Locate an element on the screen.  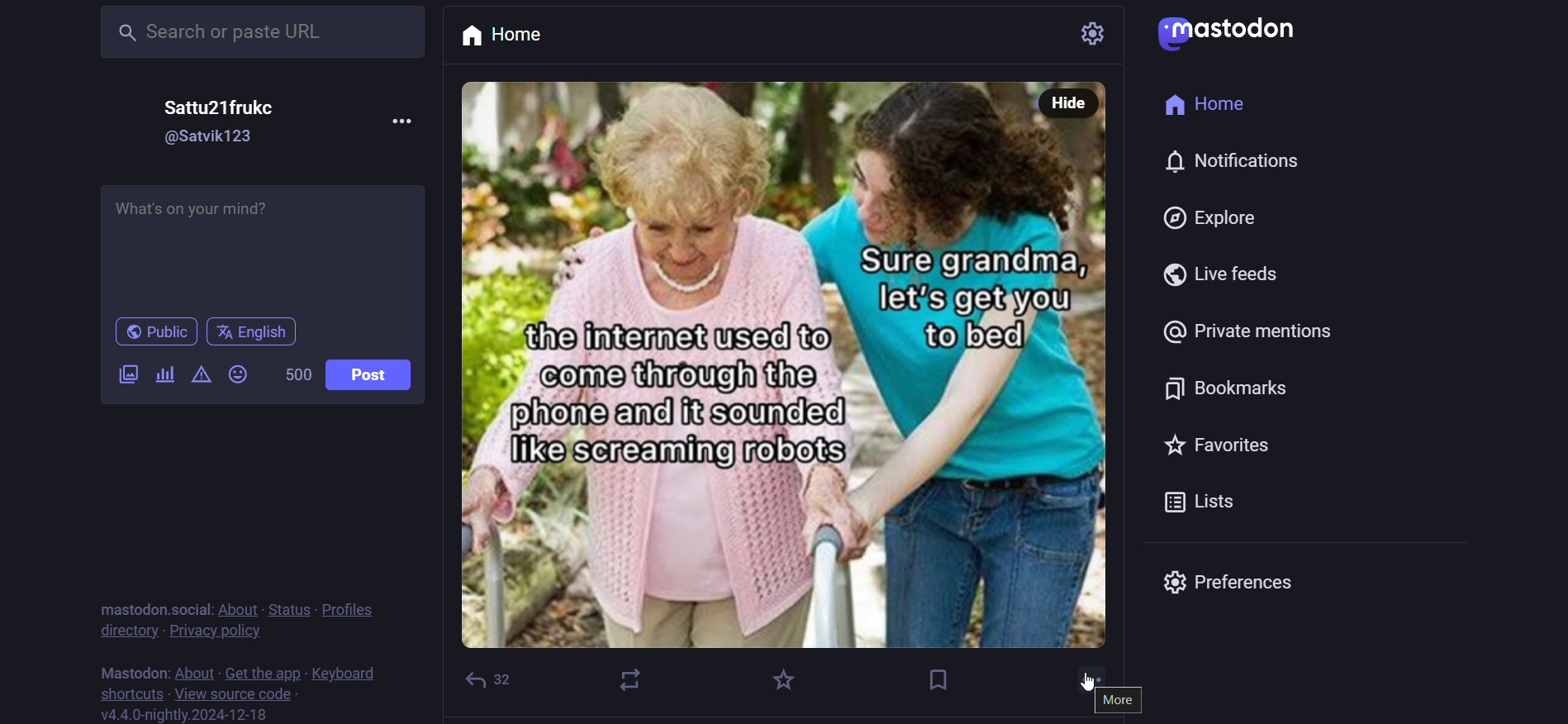
profile is located at coordinates (356, 607).